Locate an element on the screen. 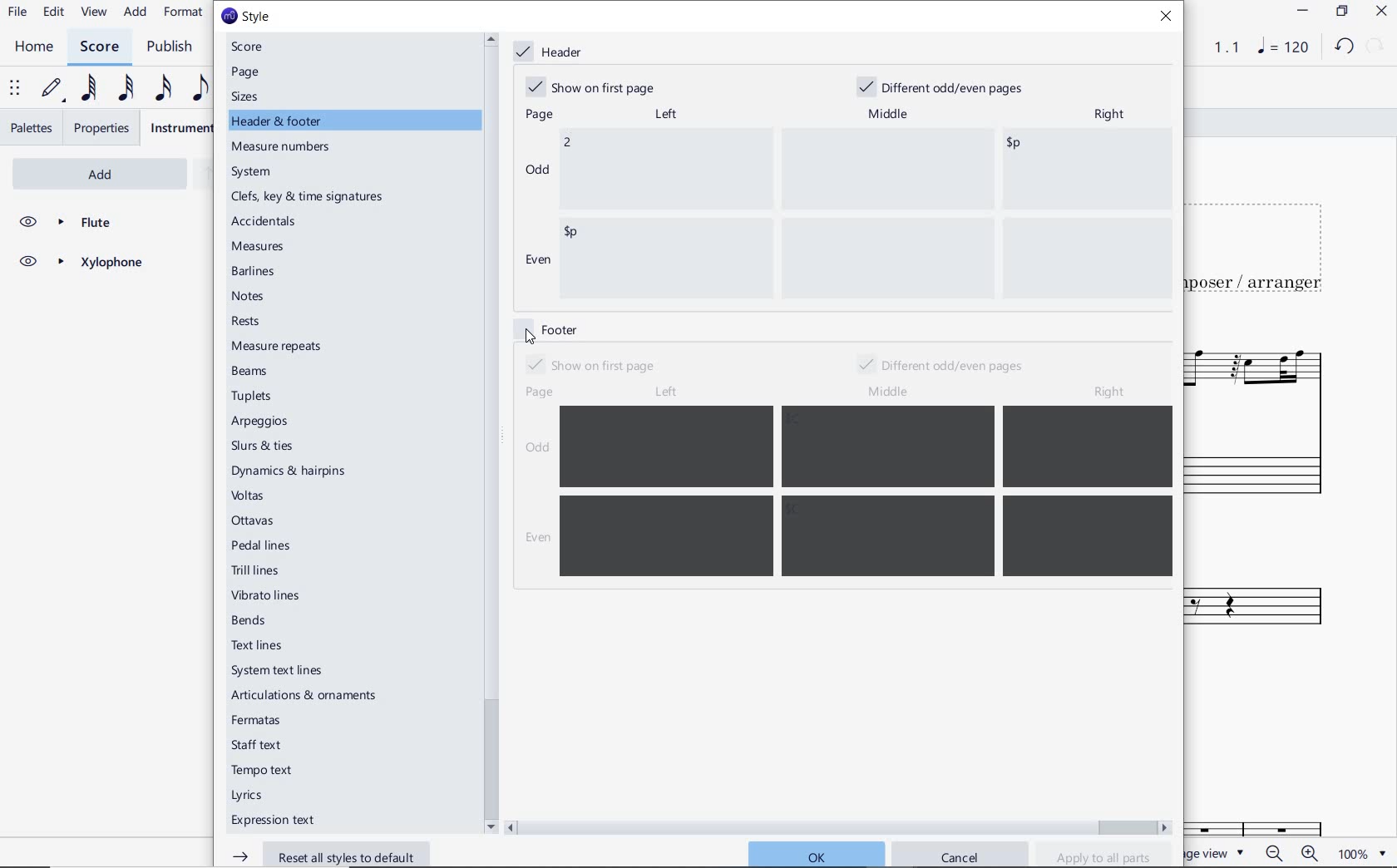 The width and height of the screenshot is (1397, 868). VIEW is located at coordinates (95, 12).